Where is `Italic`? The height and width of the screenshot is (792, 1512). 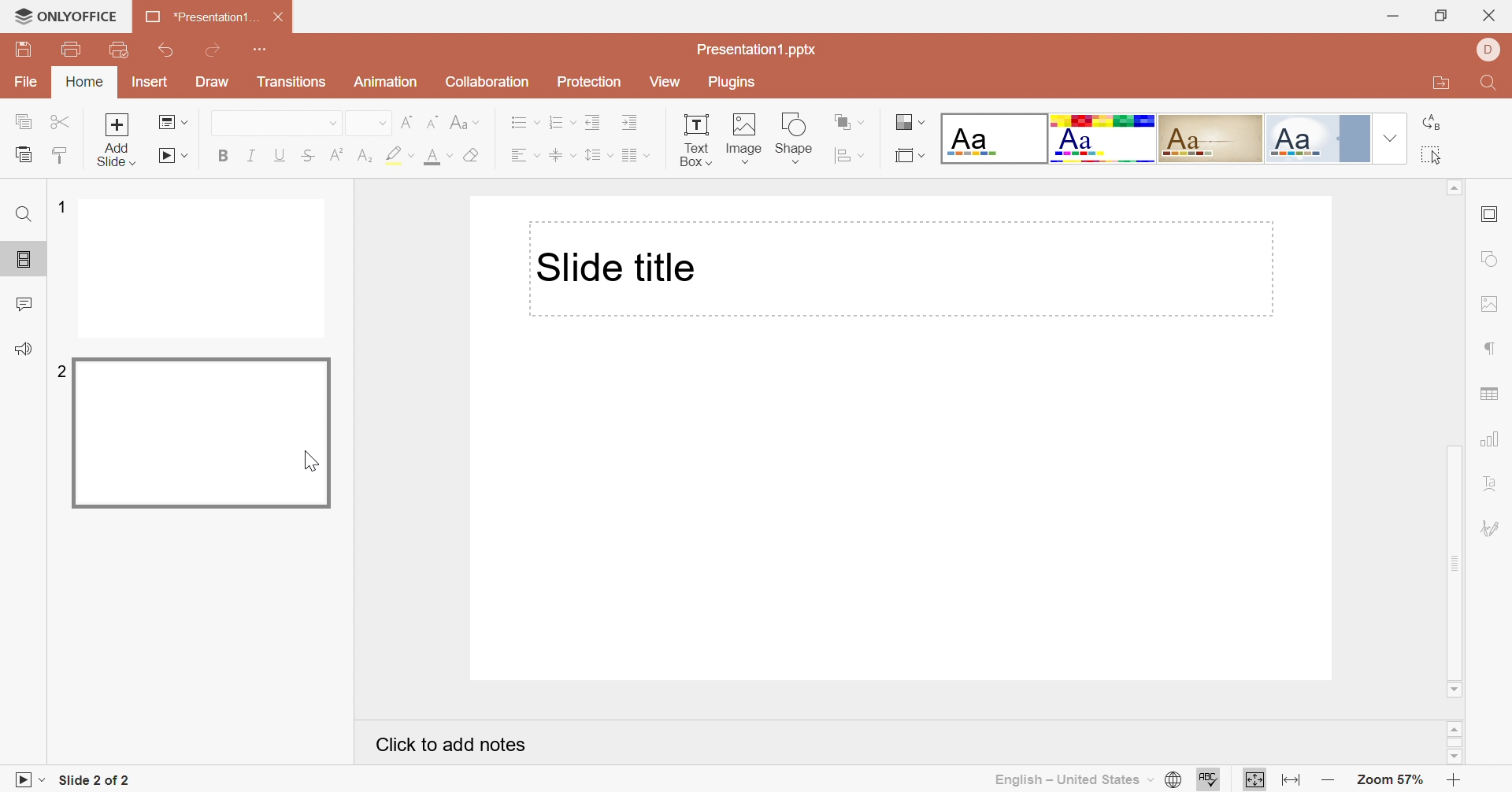 Italic is located at coordinates (253, 154).